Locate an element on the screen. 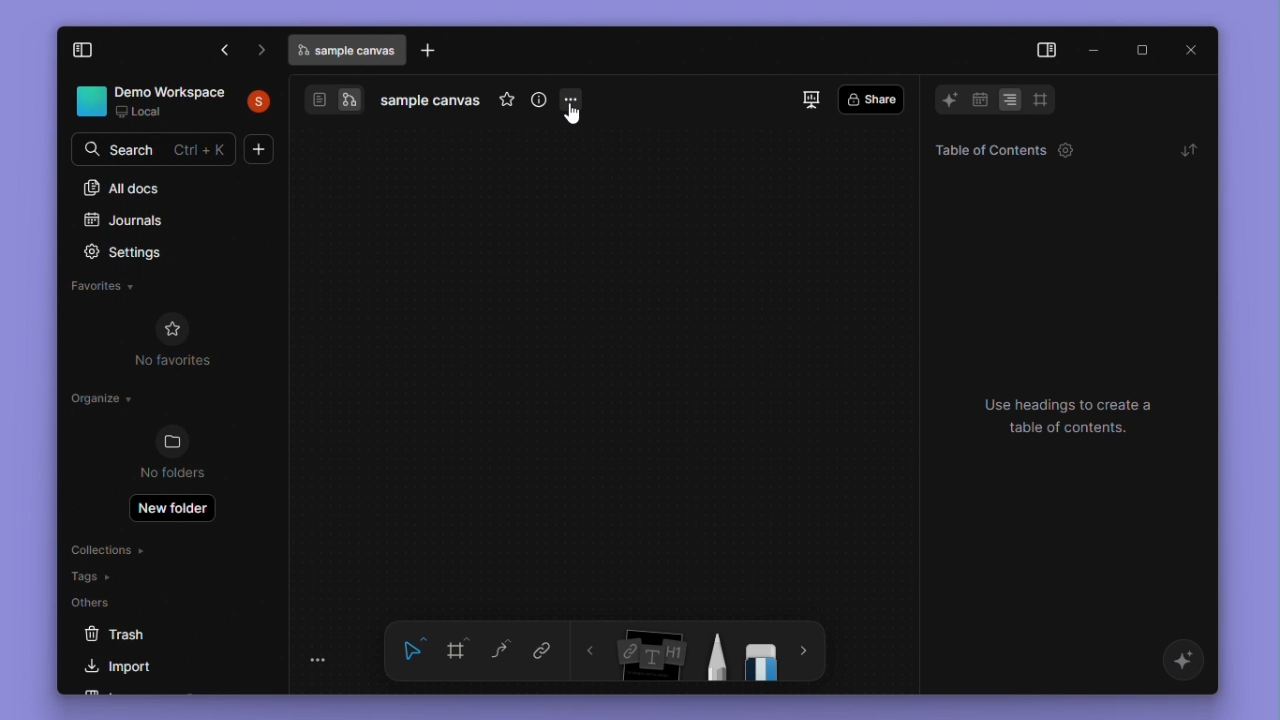 This screenshot has height=720, width=1280. file name is located at coordinates (432, 102).